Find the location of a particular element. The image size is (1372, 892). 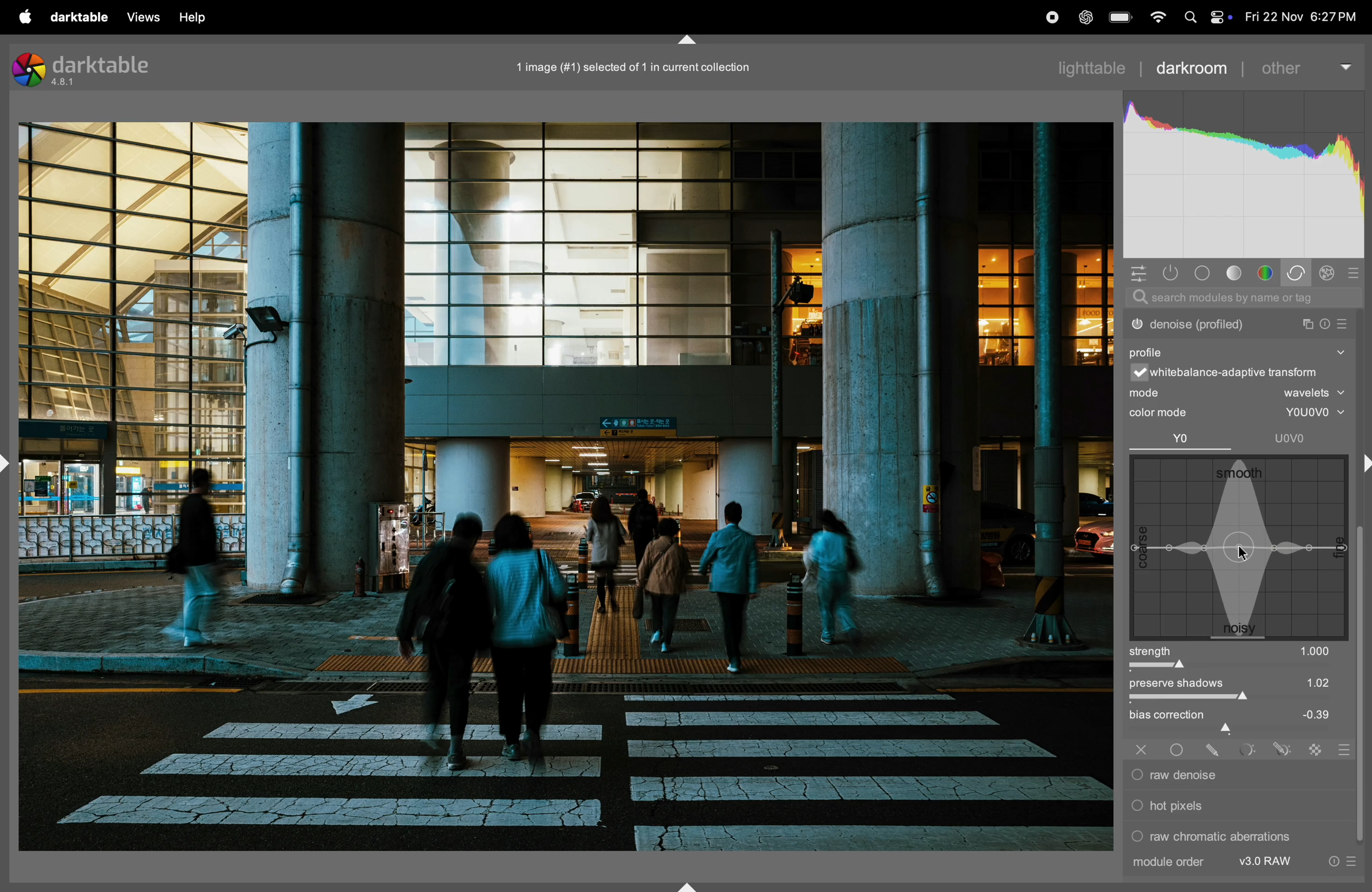

effect is located at coordinates (1328, 274).